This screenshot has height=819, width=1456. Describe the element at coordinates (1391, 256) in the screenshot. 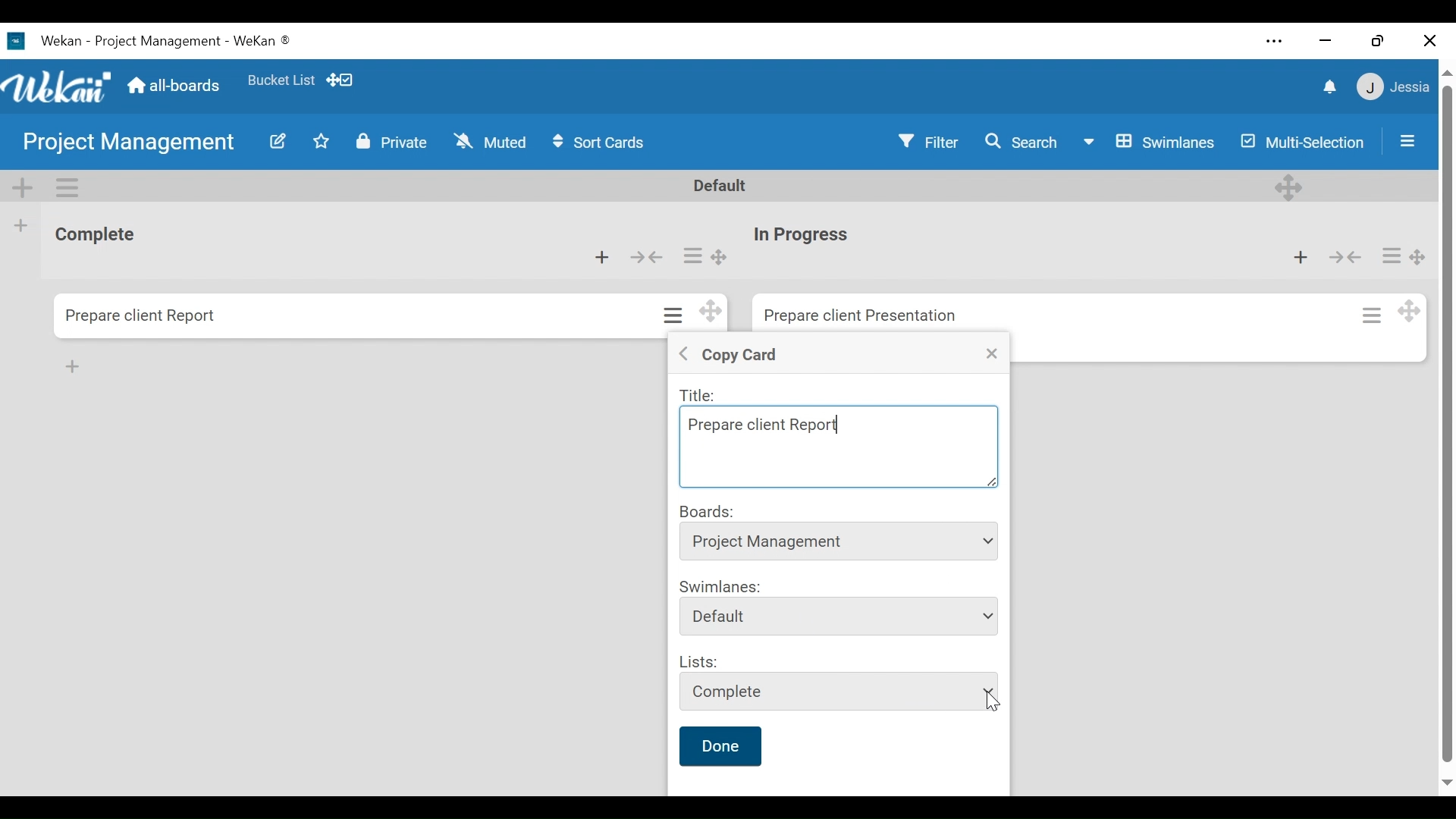

I see `Card actions` at that location.